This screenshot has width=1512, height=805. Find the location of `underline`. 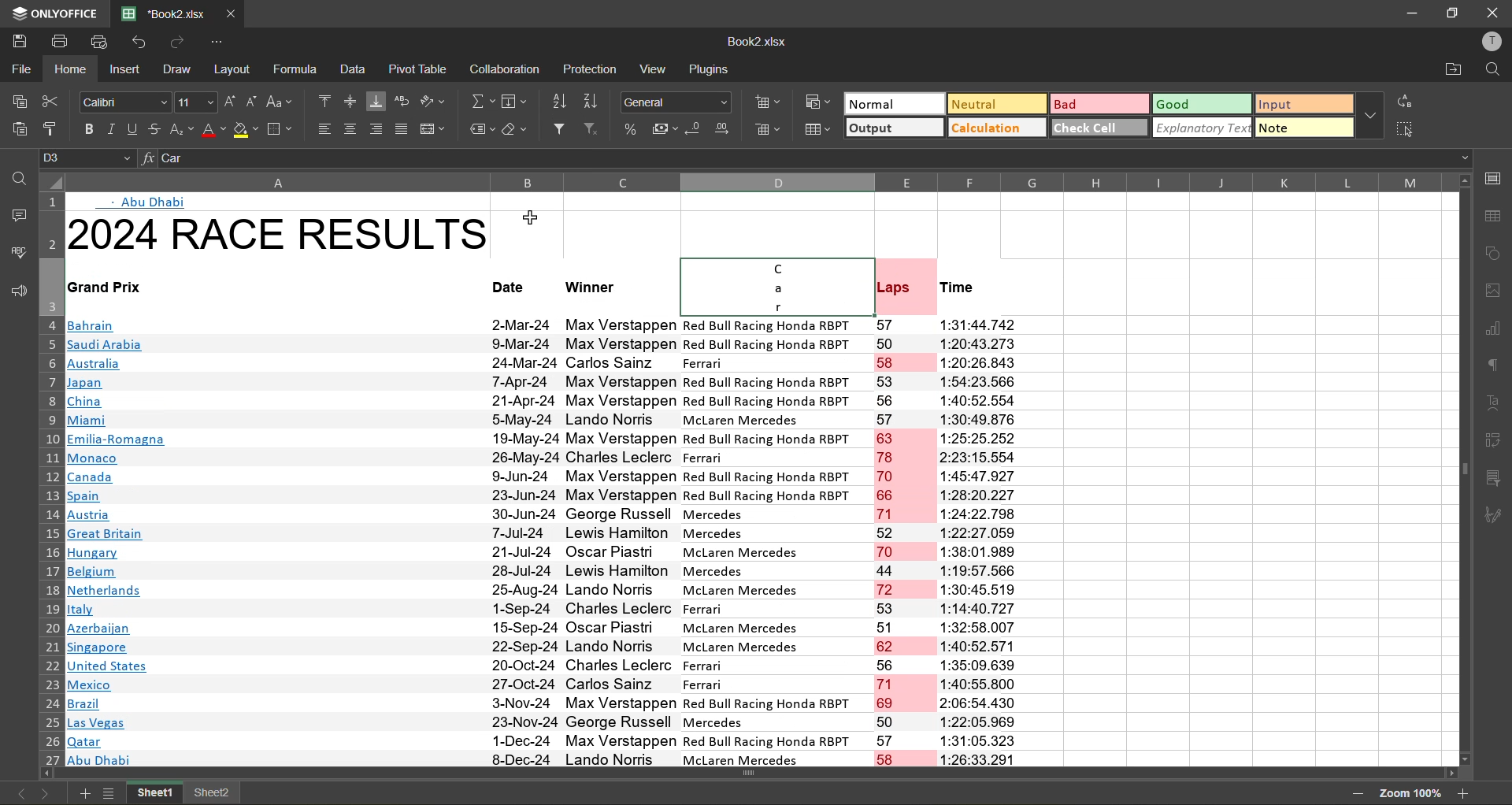

underline is located at coordinates (136, 129).